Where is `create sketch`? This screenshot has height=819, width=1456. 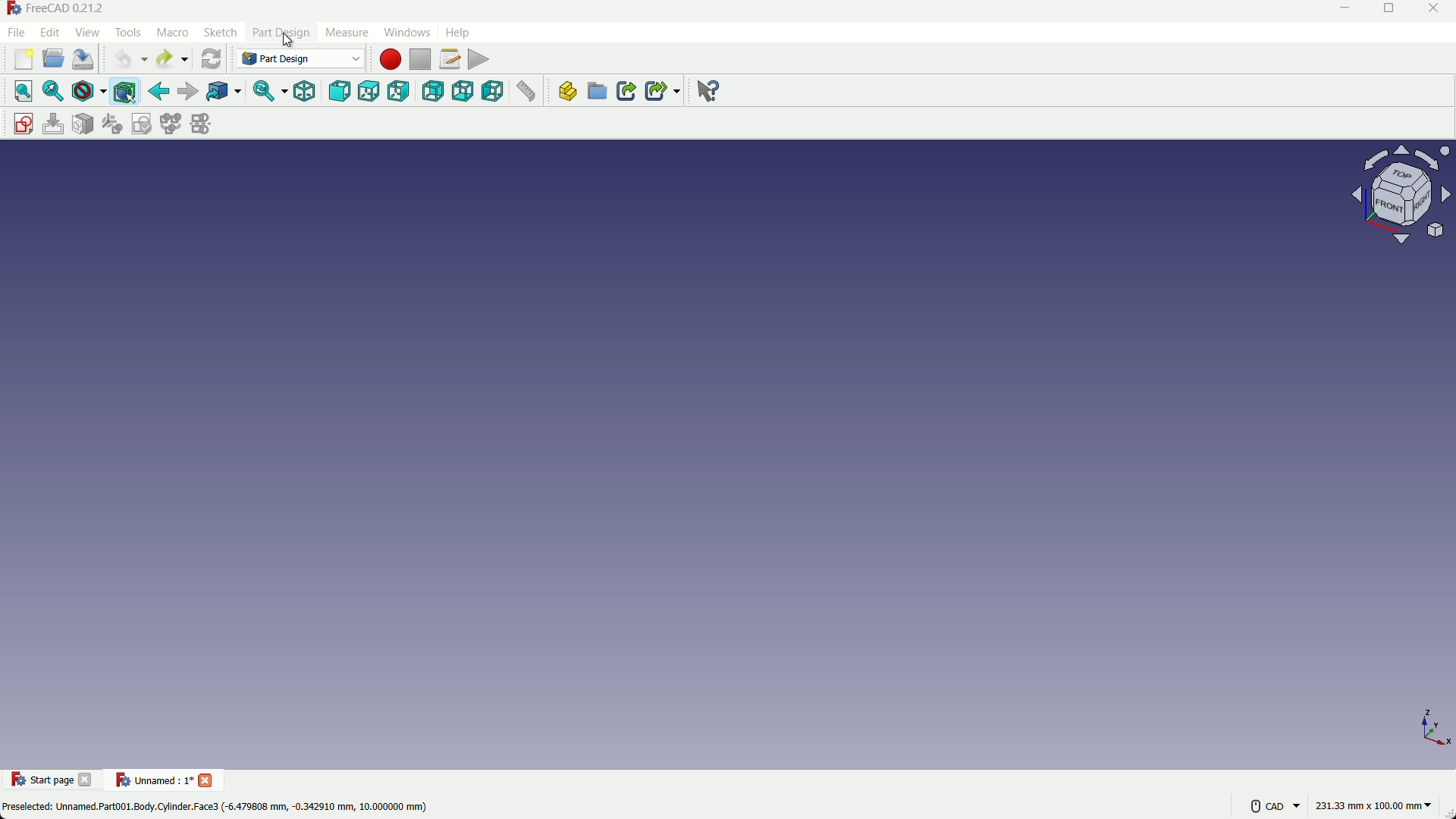 create sketch is located at coordinates (24, 124).